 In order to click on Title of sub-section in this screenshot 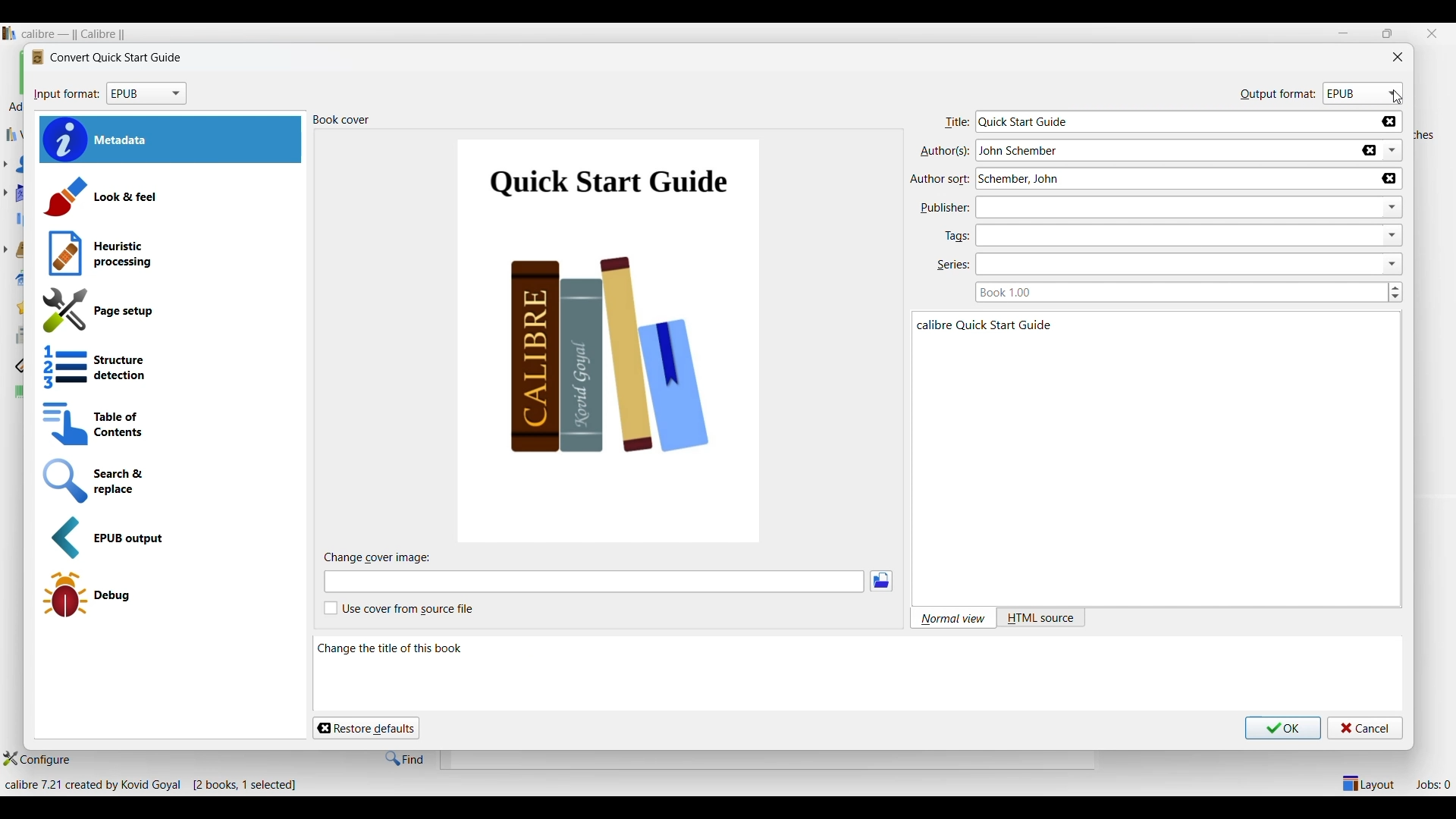, I will do `click(379, 557)`.